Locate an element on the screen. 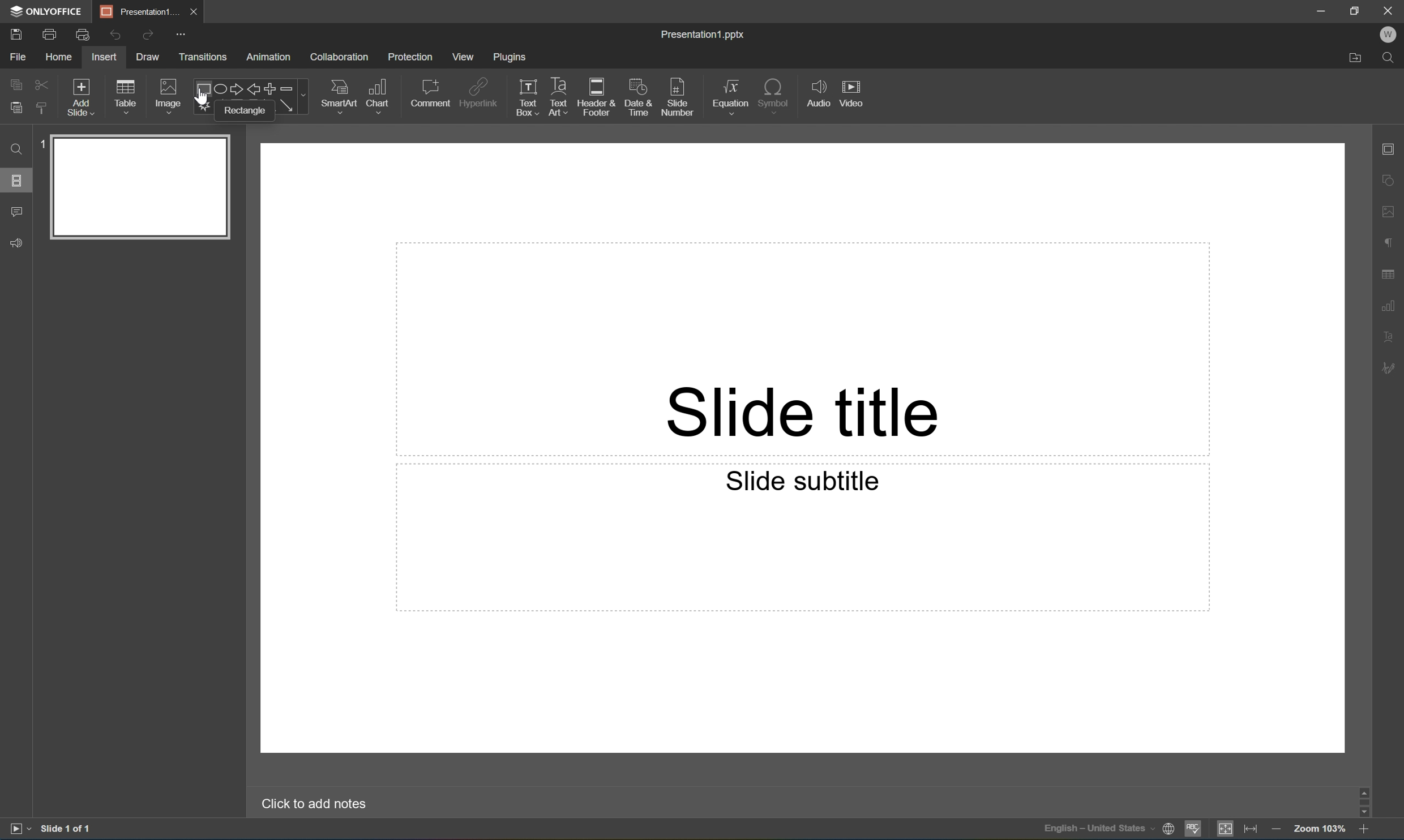 The image size is (1404, 840). Cut is located at coordinates (42, 84).